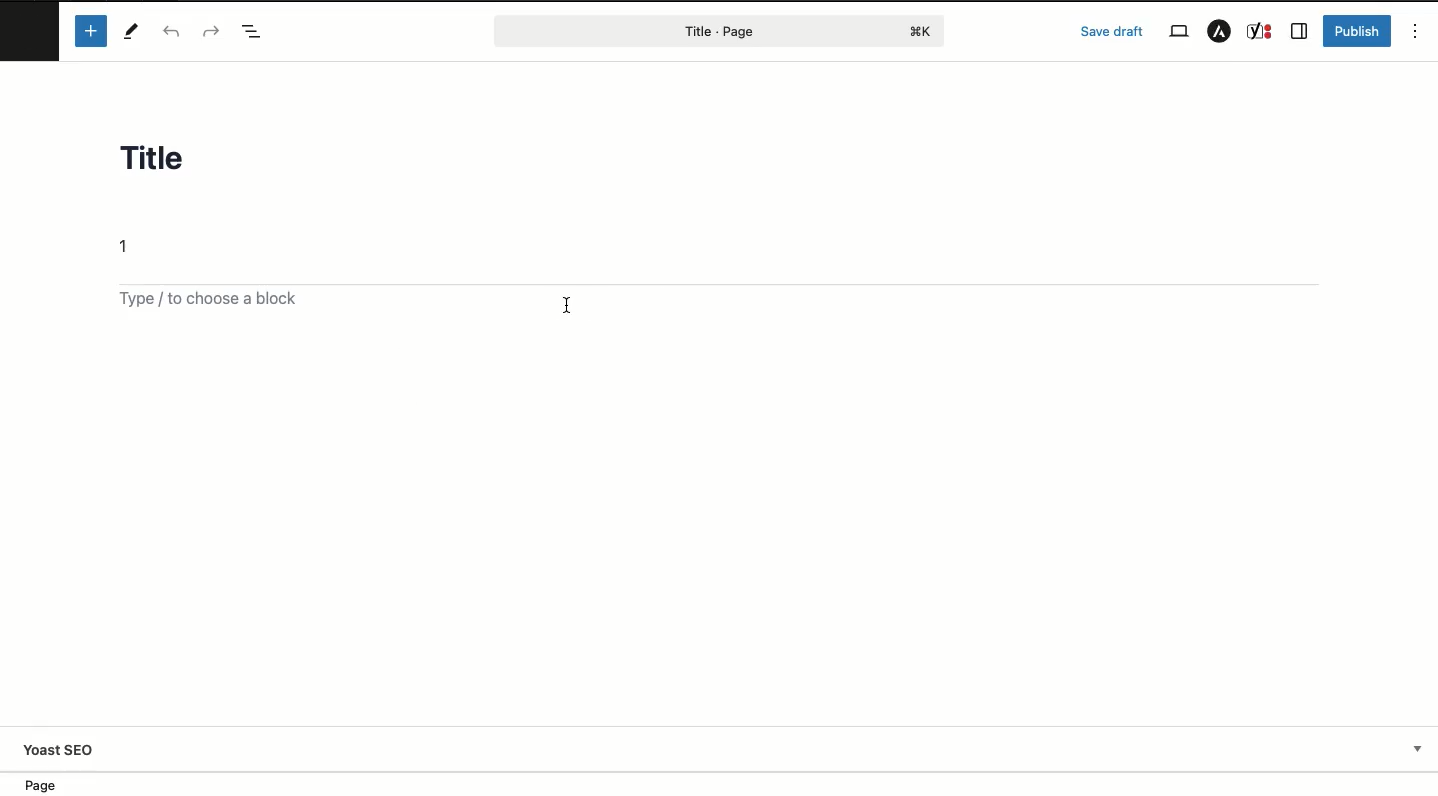  What do you see at coordinates (1299, 32) in the screenshot?
I see `Sidebar` at bounding box center [1299, 32].